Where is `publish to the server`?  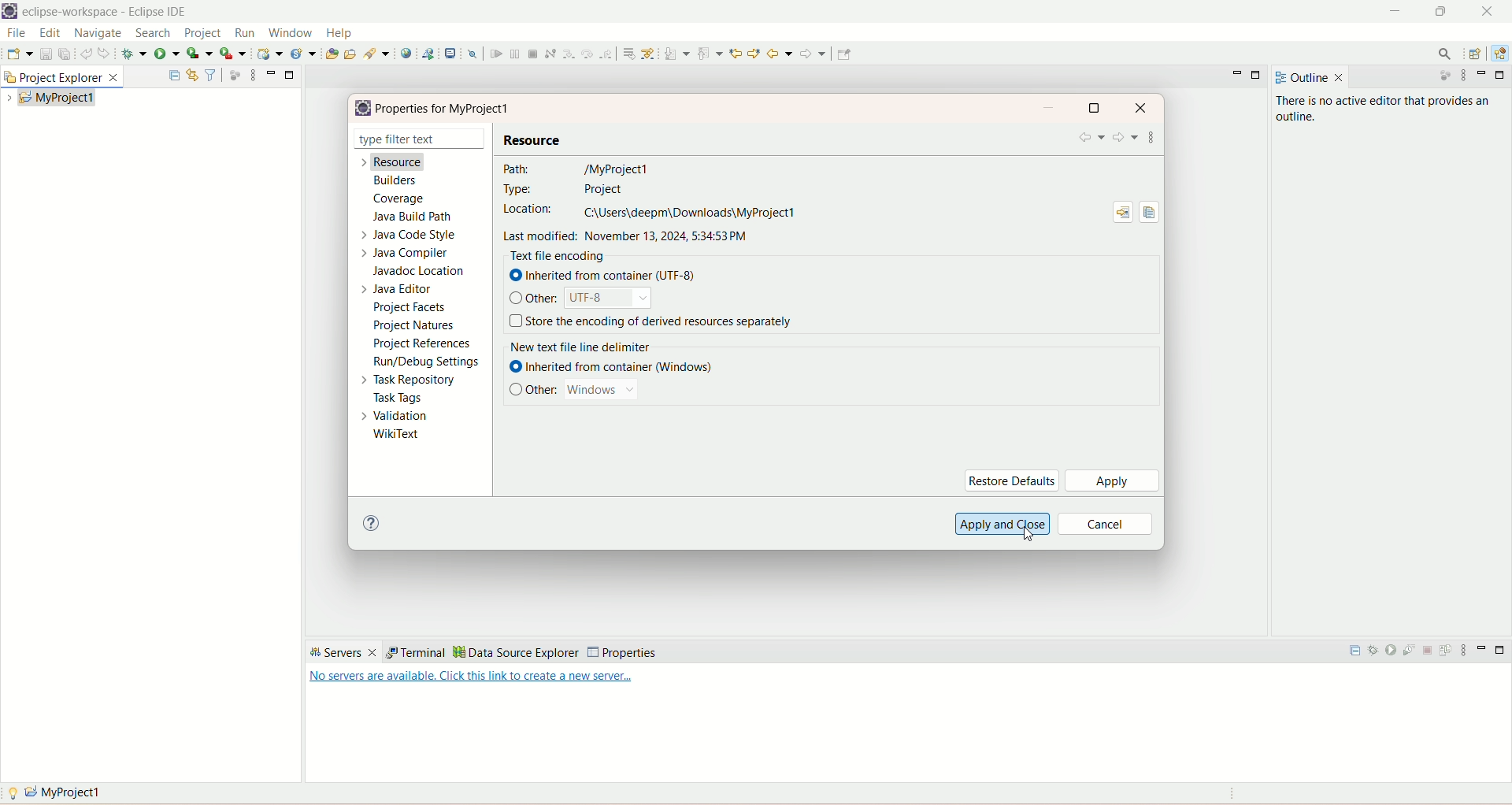 publish to the server is located at coordinates (1448, 653).